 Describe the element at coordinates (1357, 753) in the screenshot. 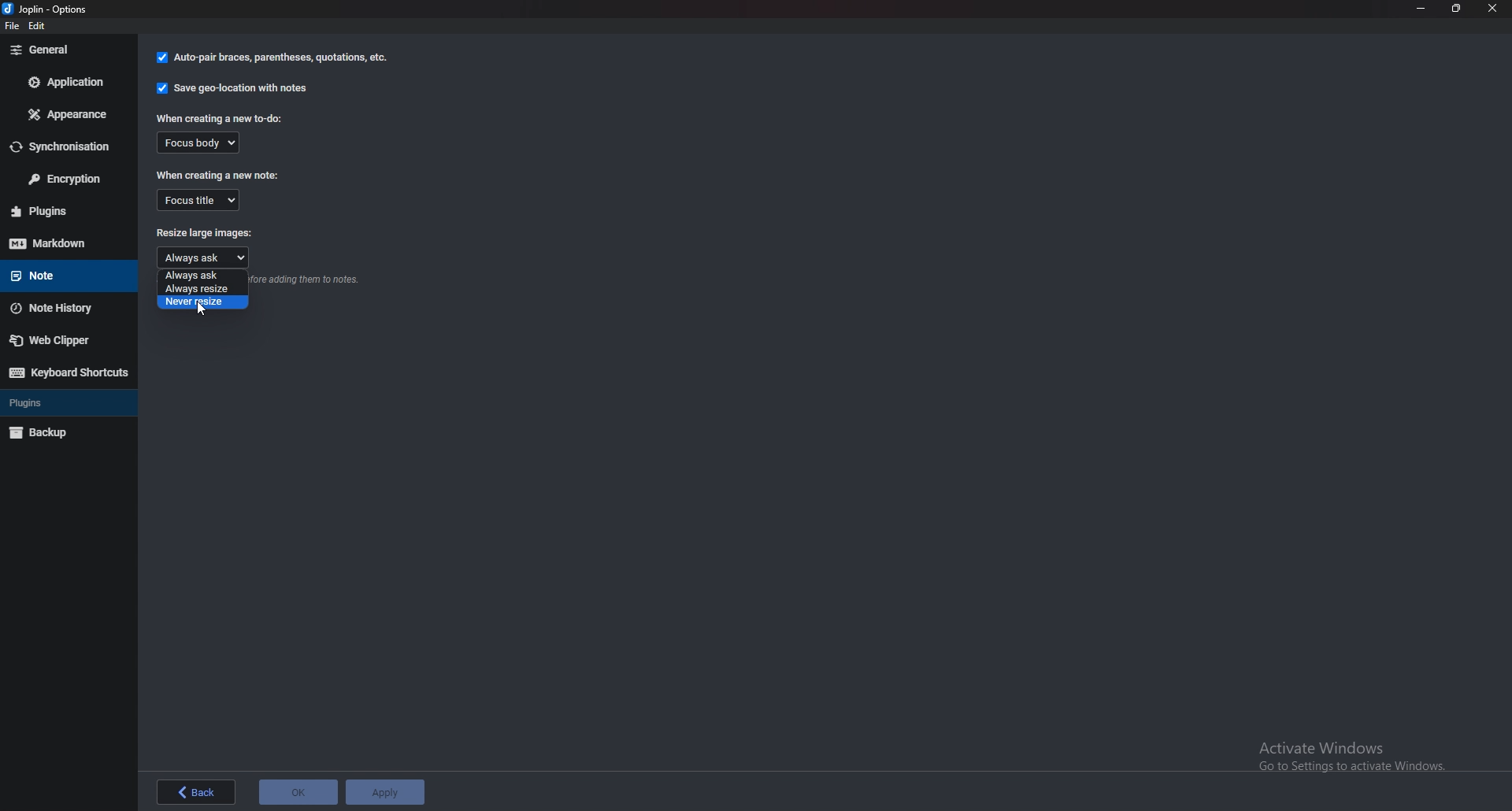

I see `Activate windows pop up` at that location.